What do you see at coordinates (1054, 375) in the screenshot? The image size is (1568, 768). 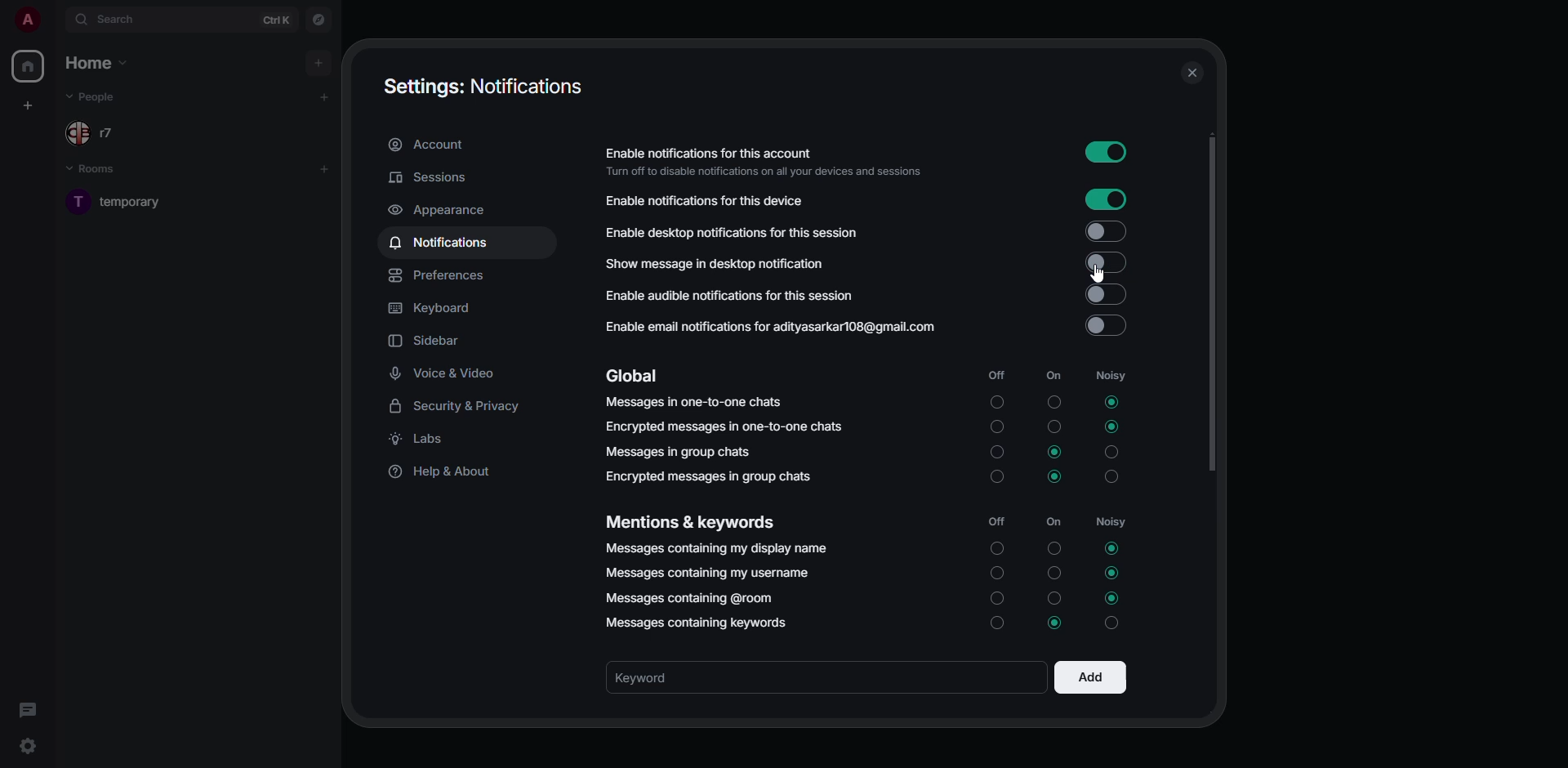 I see `on` at bounding box center [1054, 375].